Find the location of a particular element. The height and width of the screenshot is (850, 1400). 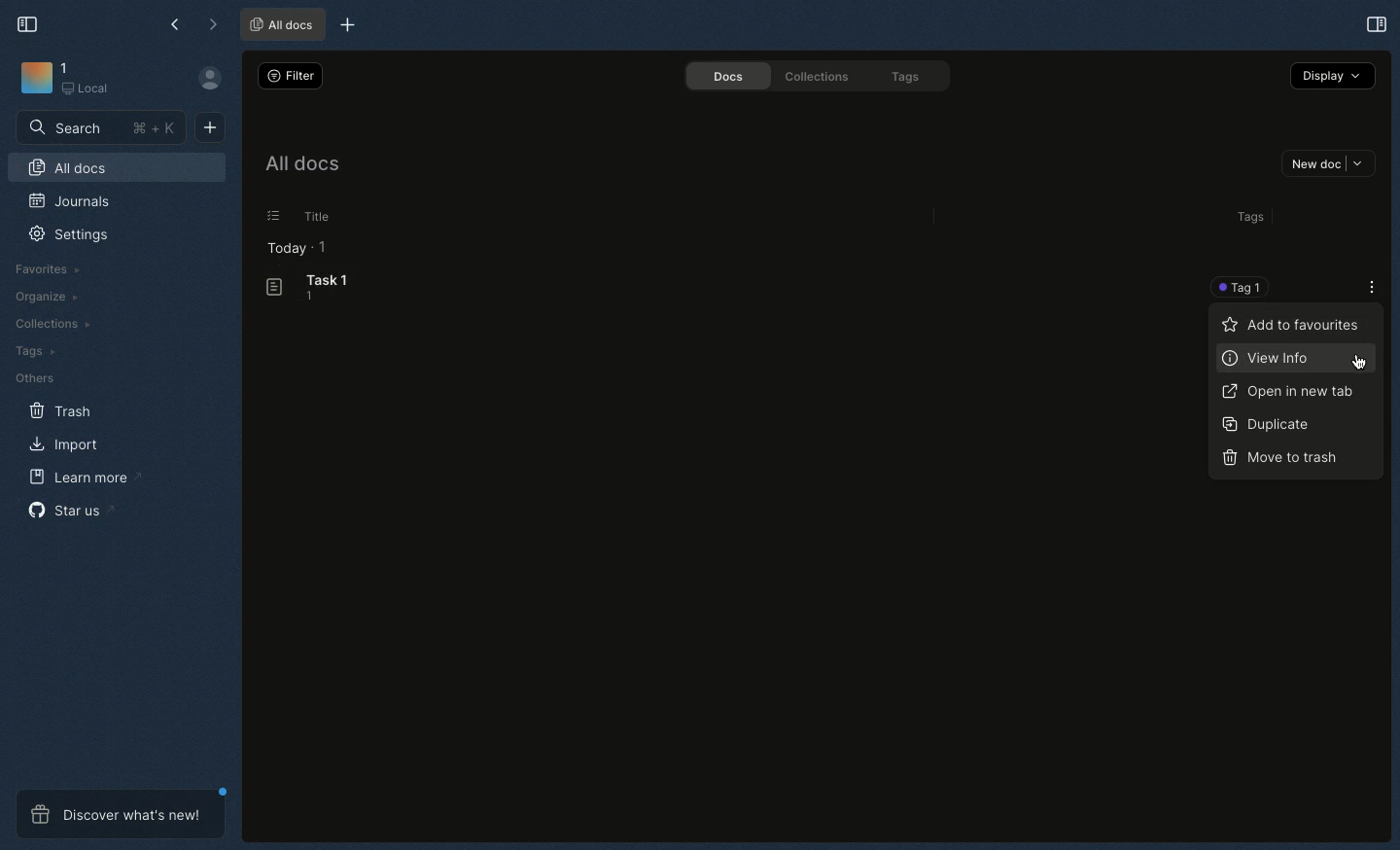

Settings is located at coordinates (69, 235).